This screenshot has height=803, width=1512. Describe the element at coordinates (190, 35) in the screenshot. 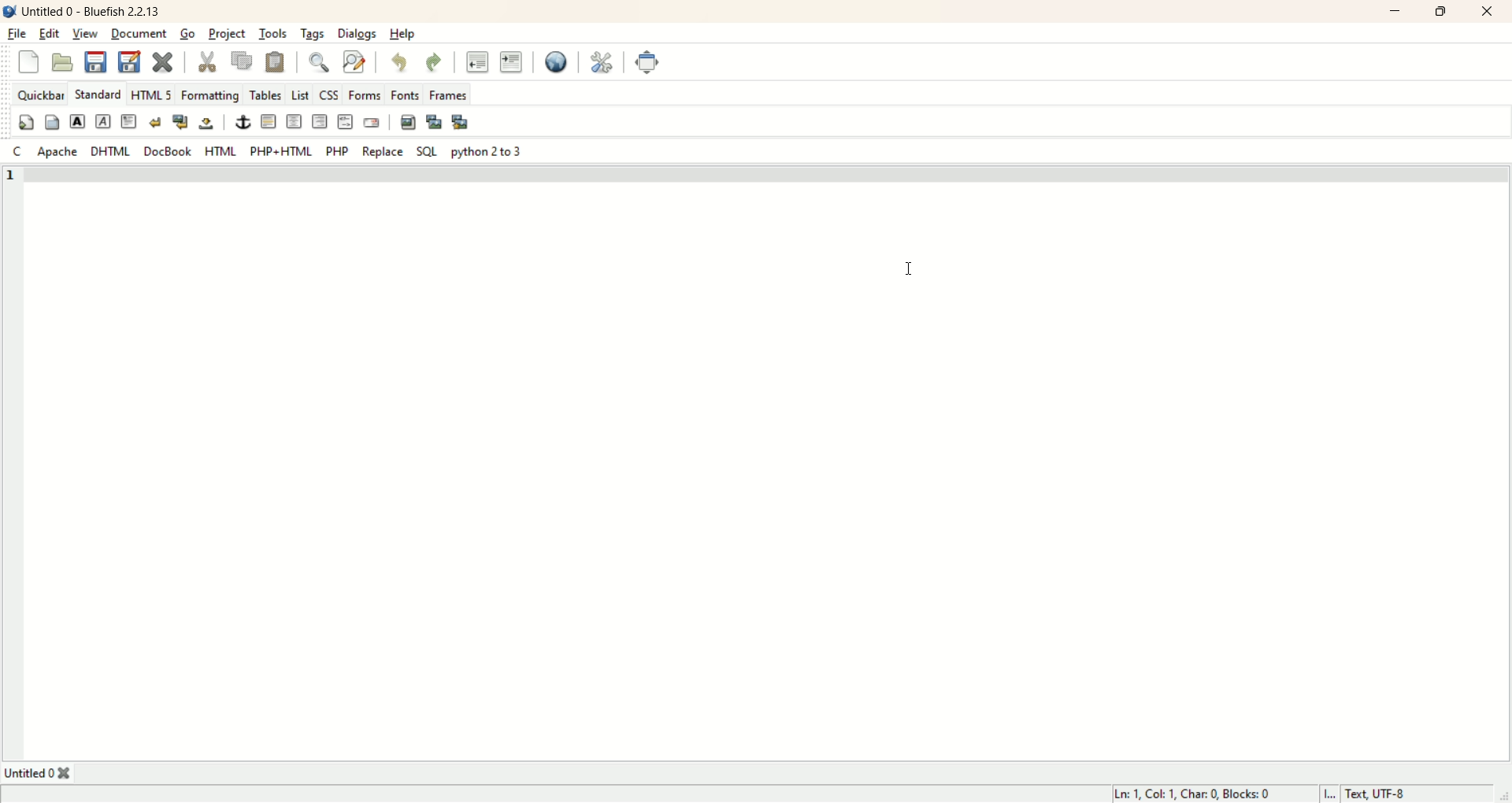

I see `go` at that location.